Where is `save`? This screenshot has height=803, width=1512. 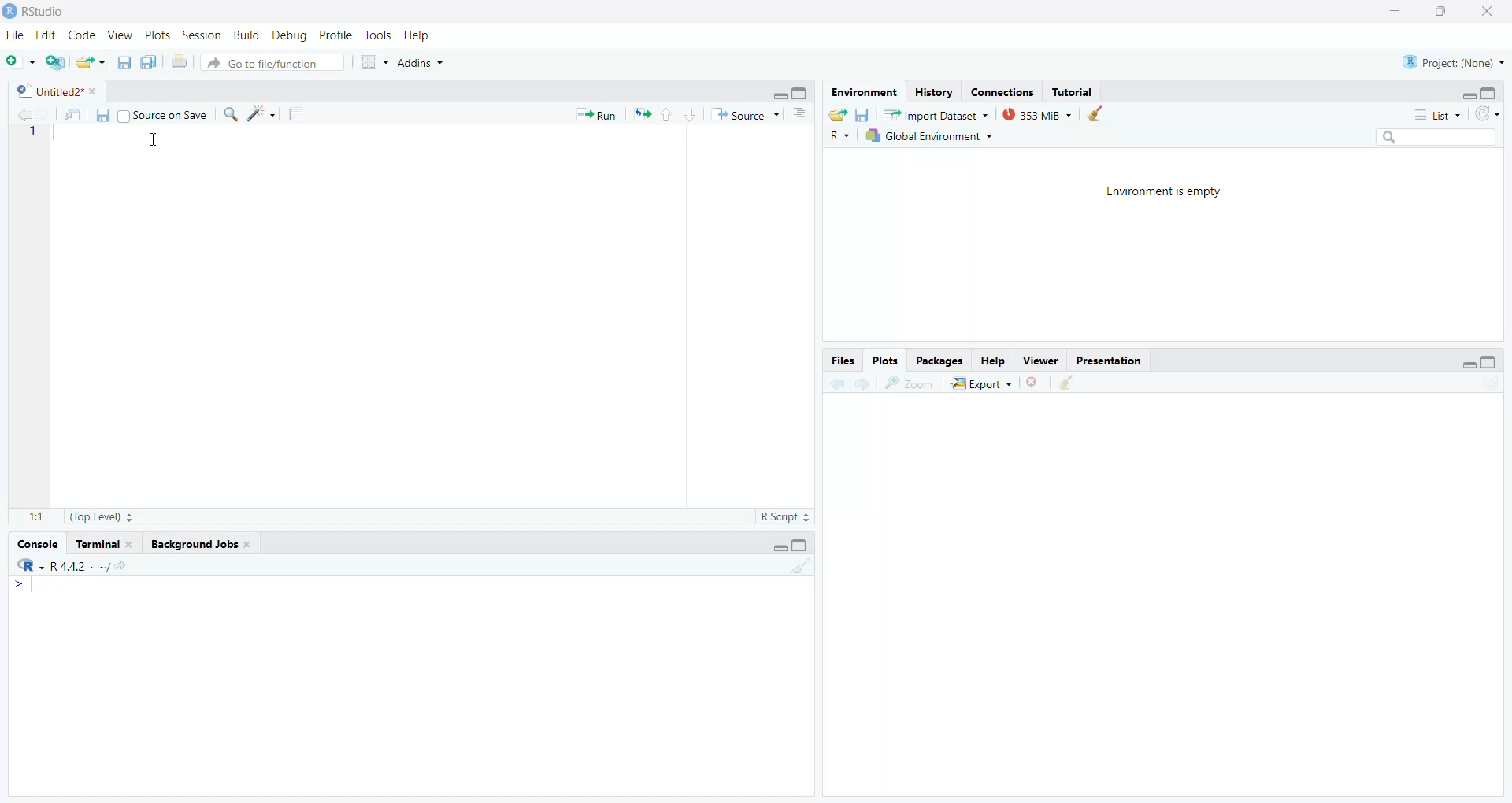
save is located at coordinates (864, 115).